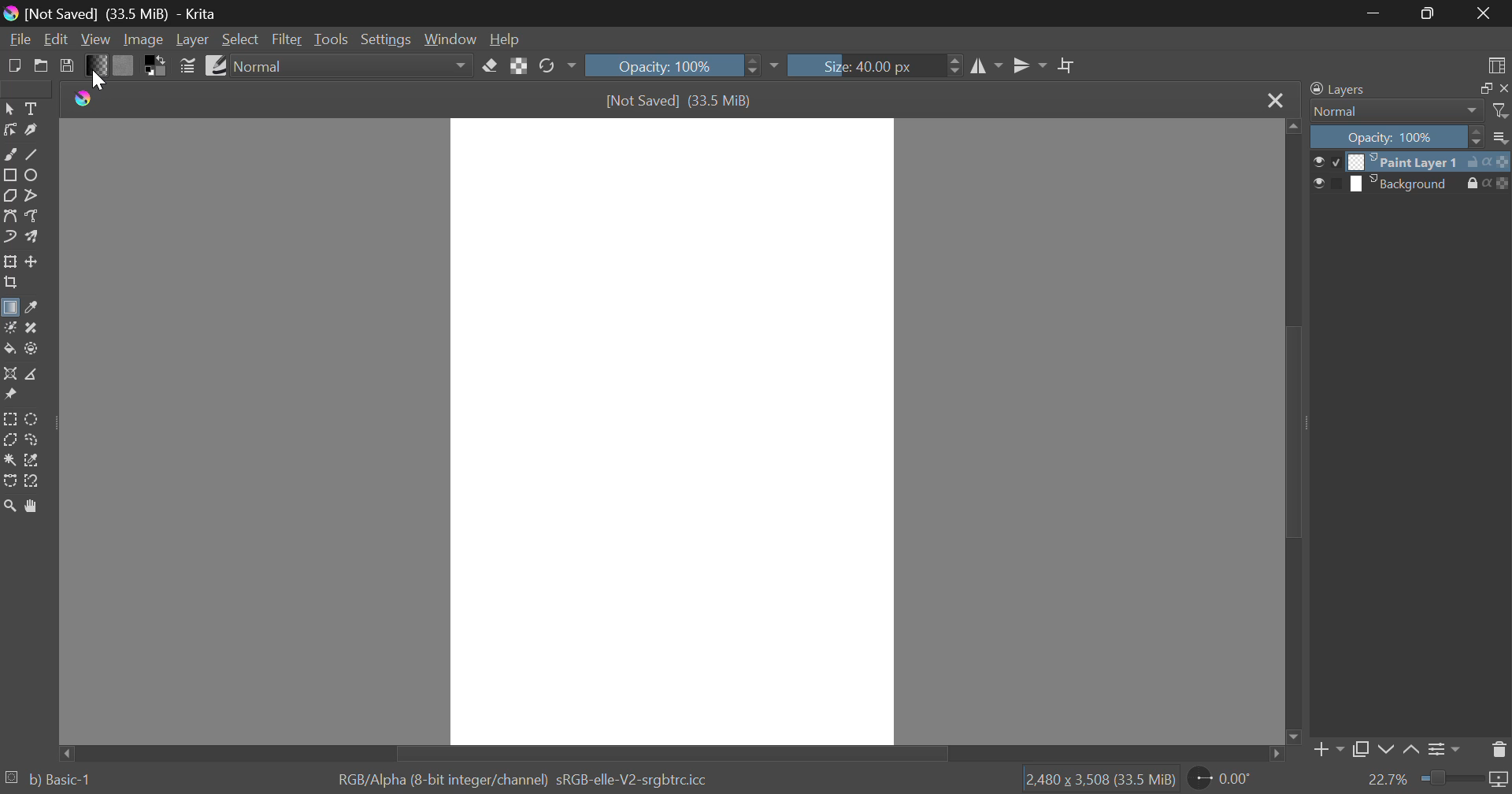  Describe the element at coordinates (124, 65) in the screenshot. I see `Pattern` at that location.